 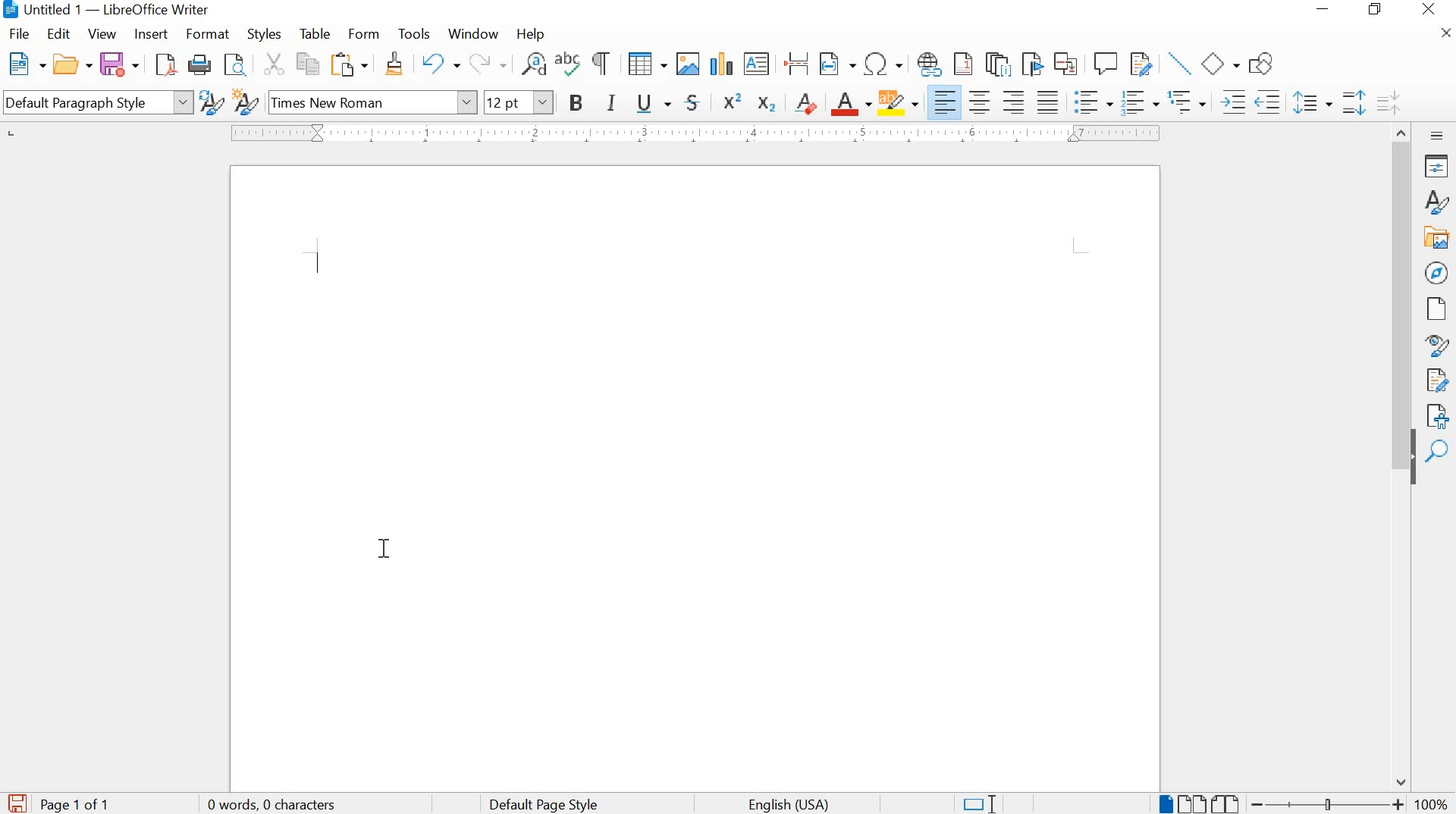 What do you see at coordinates (246, 101) in the screenshot?
I see `NEW STYLE FROM SELECTION` at bounding box center [246, 101].